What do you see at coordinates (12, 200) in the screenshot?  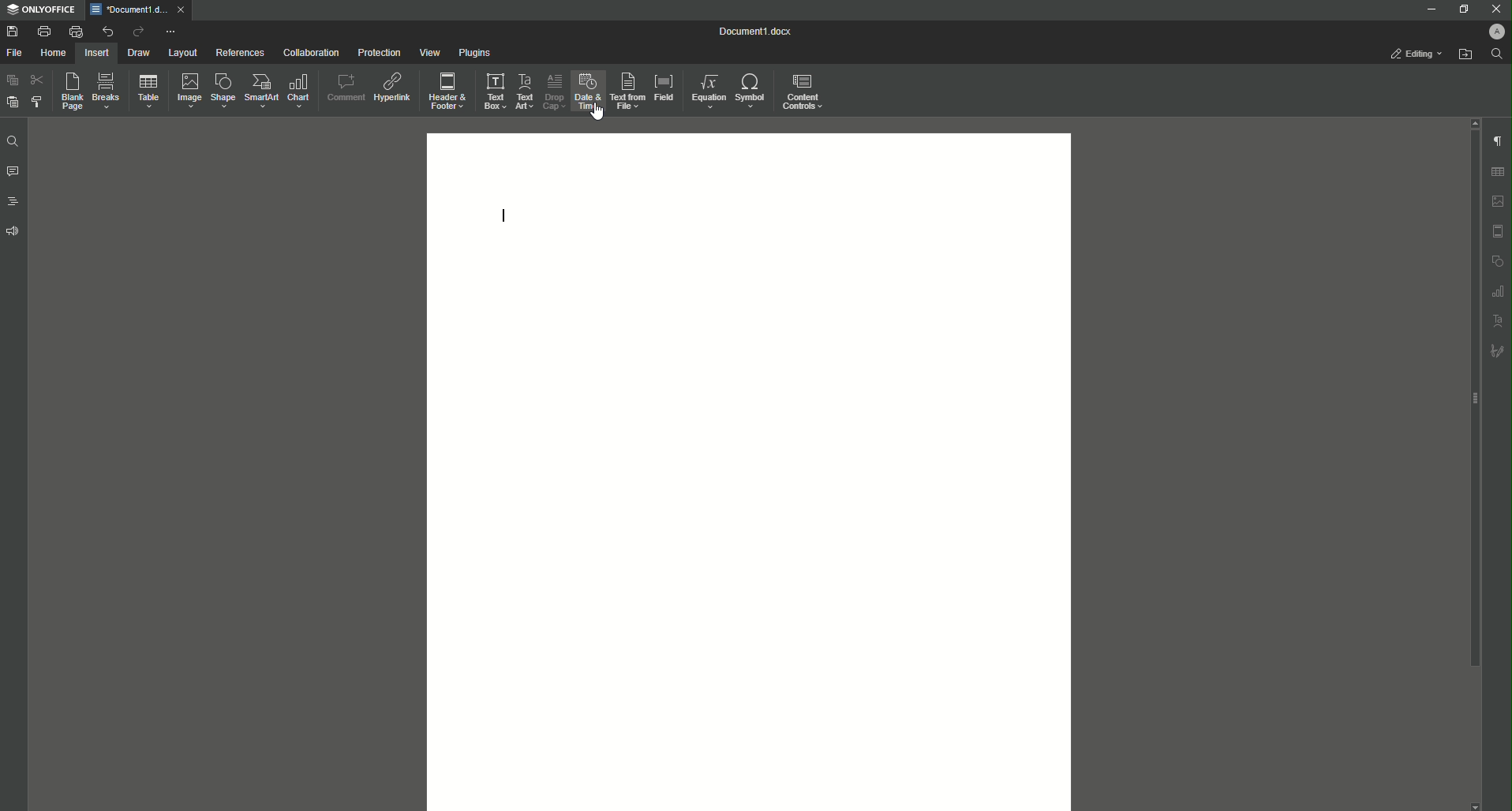 I see `Headings` at bounding box center [12, 200].